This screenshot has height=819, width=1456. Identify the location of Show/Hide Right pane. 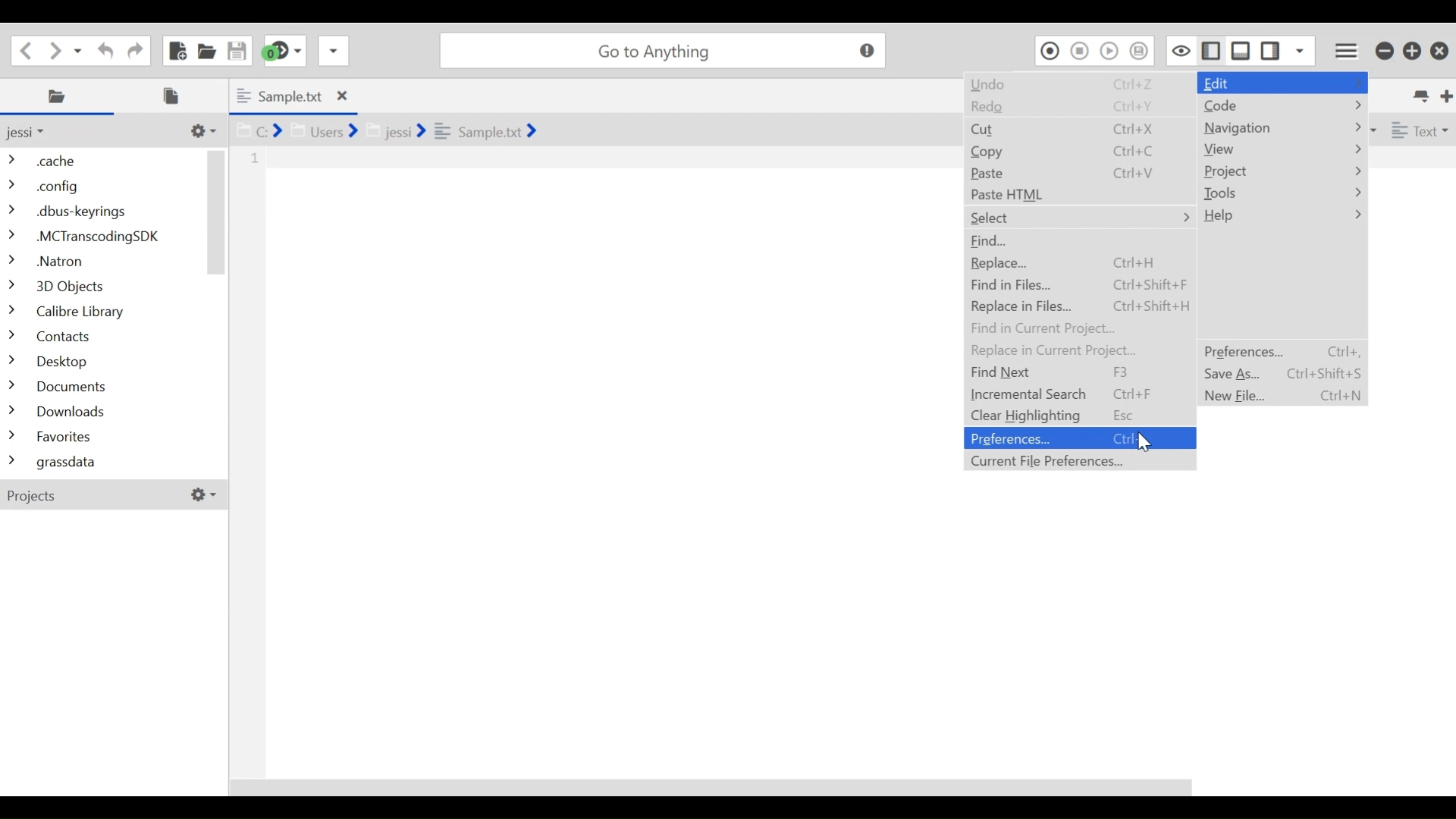
(1209, 49).